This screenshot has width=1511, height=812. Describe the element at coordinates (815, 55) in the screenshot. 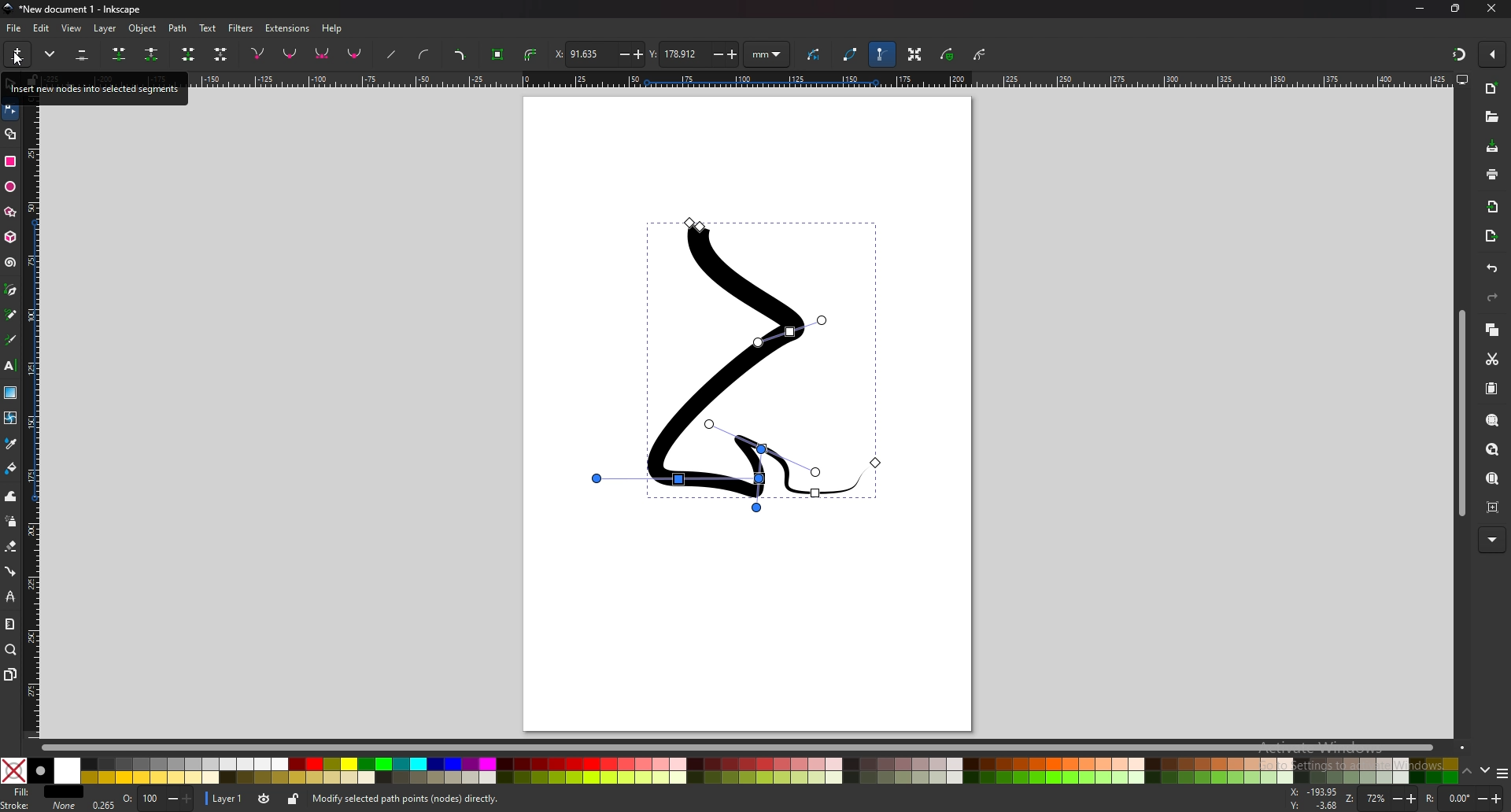

I see `next path effect parameter` at that location.